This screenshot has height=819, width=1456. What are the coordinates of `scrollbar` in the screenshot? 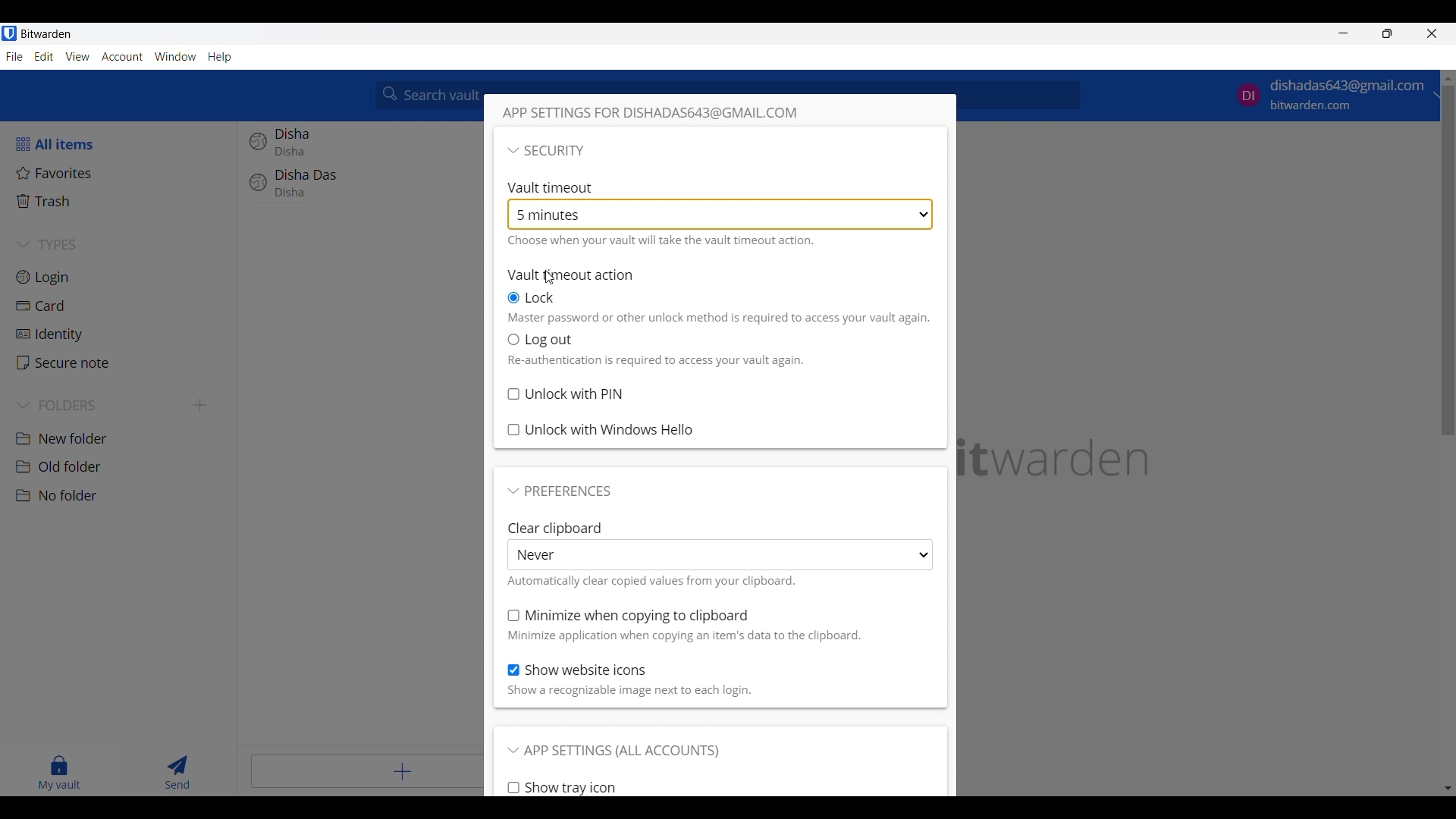 It's located at (1447, 262).